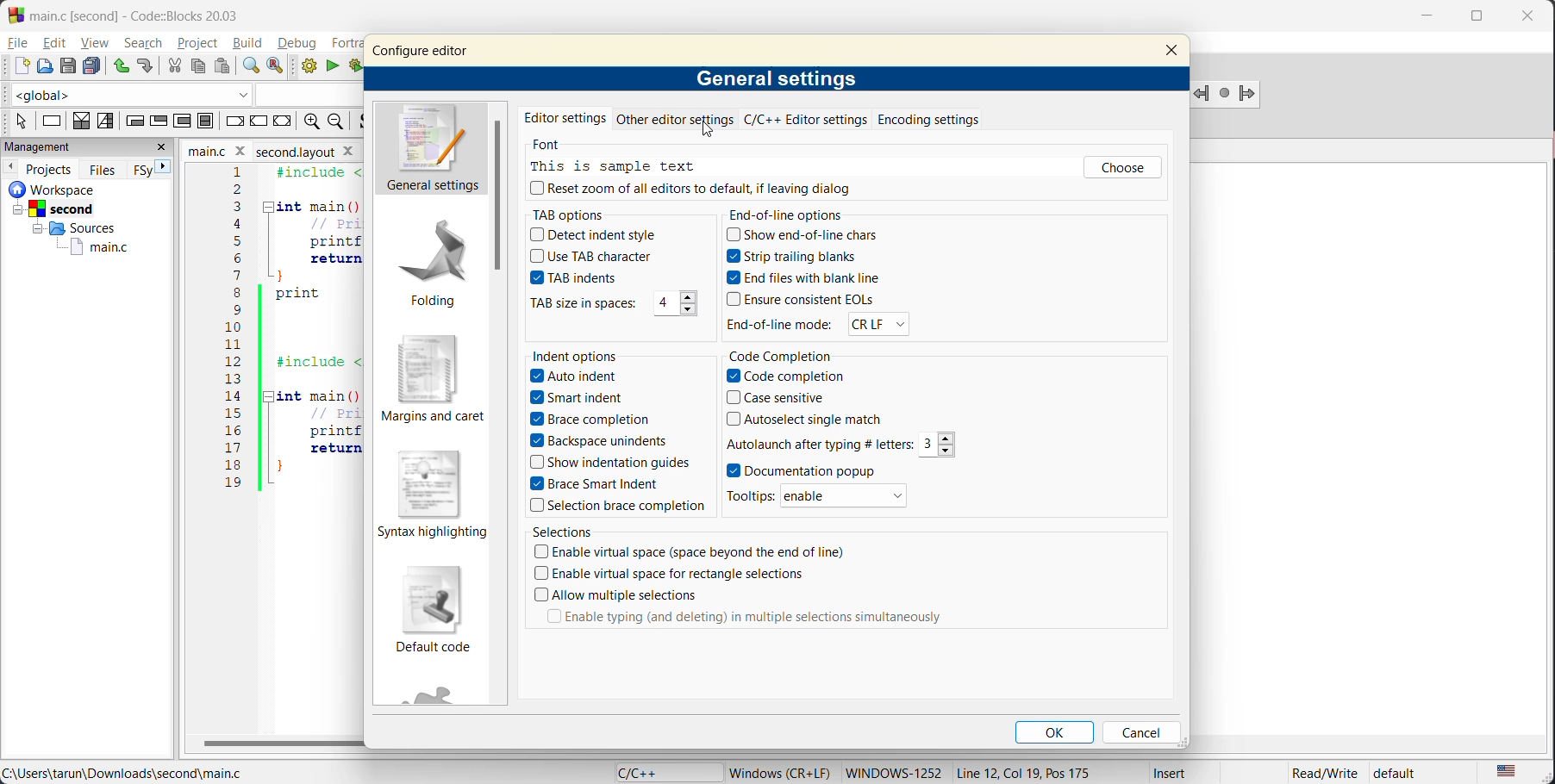  What do you see at coordinates (804, 234) in the screenshot?
I see `Show end-of-line chars` at bounding box center [804, 234].